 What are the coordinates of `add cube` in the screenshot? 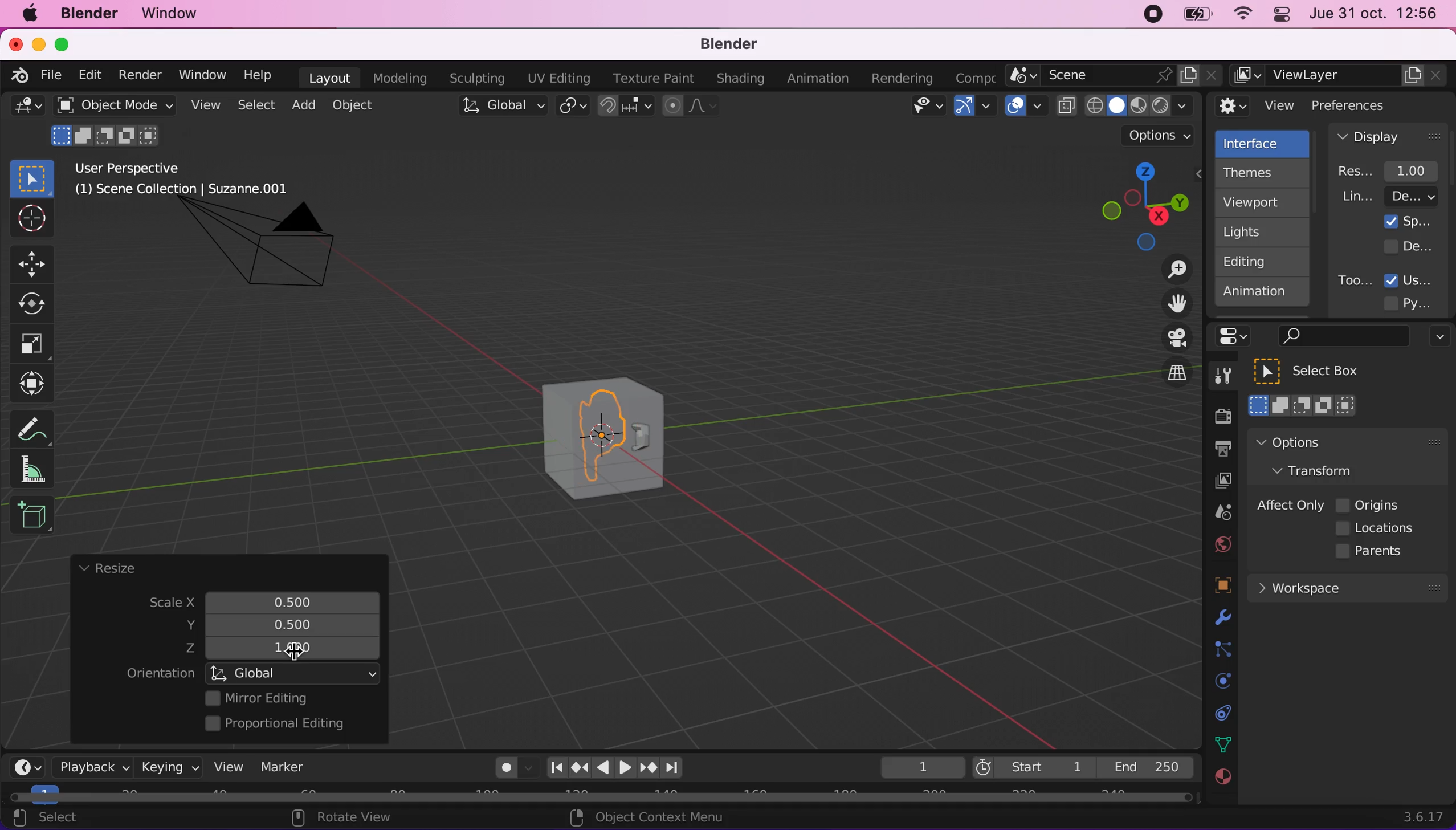 It's located at (32, 516).